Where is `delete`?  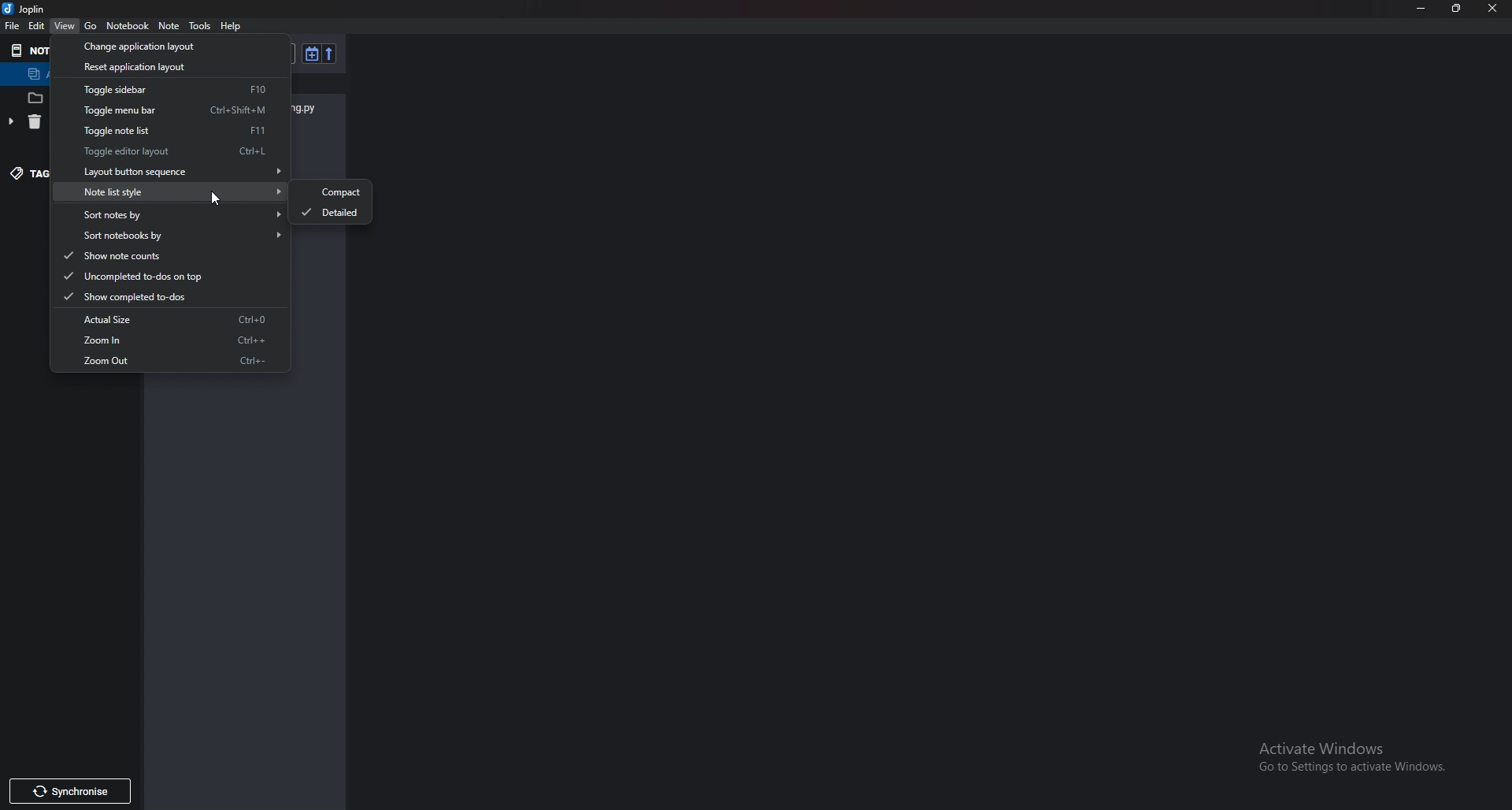 delete is located at coordinates (34, 123).